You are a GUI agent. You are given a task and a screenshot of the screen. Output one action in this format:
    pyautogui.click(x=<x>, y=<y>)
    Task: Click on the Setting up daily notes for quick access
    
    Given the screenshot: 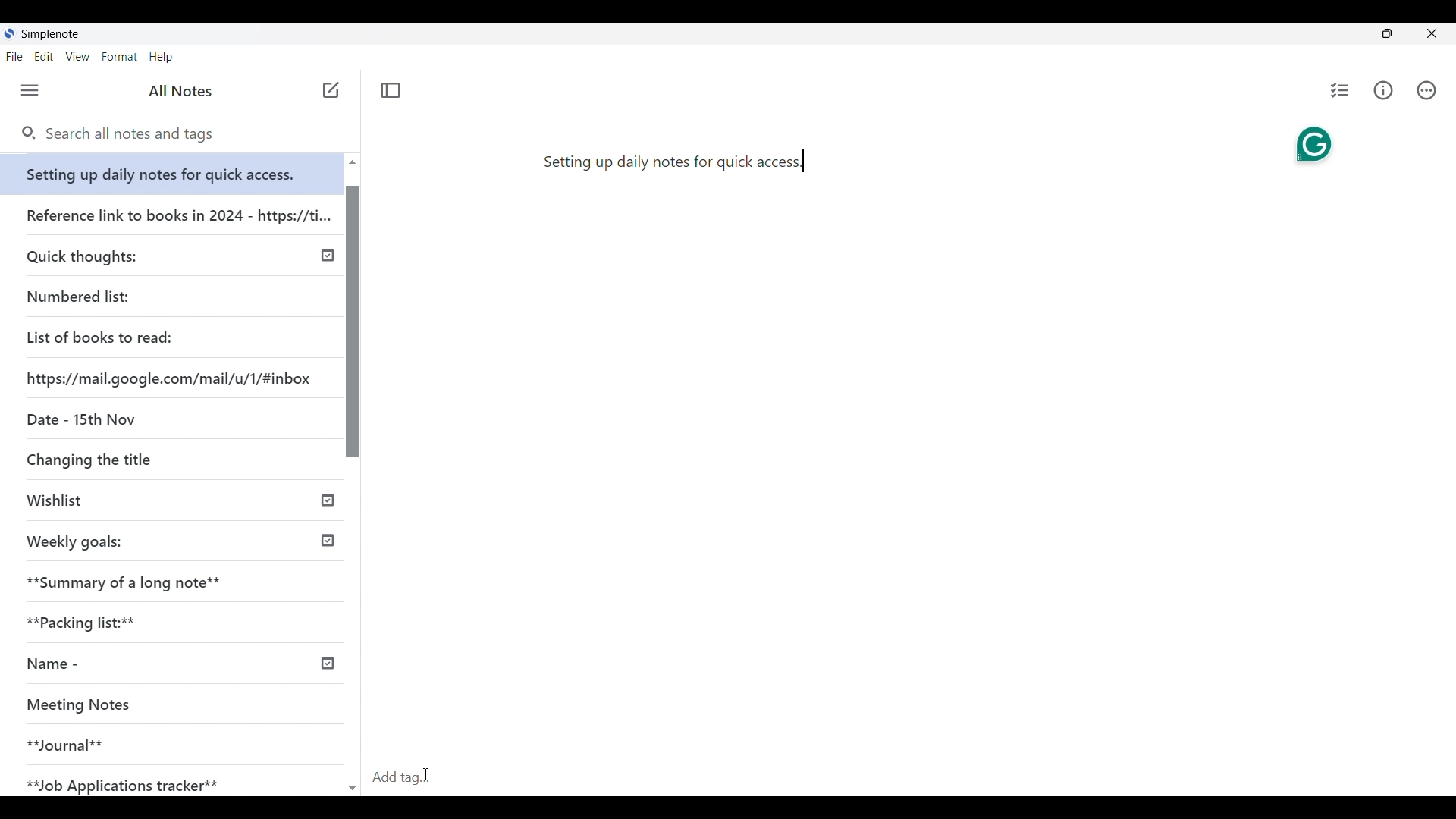 What is the action you would take?
    pyautogui.click(x=174, y=170)
    